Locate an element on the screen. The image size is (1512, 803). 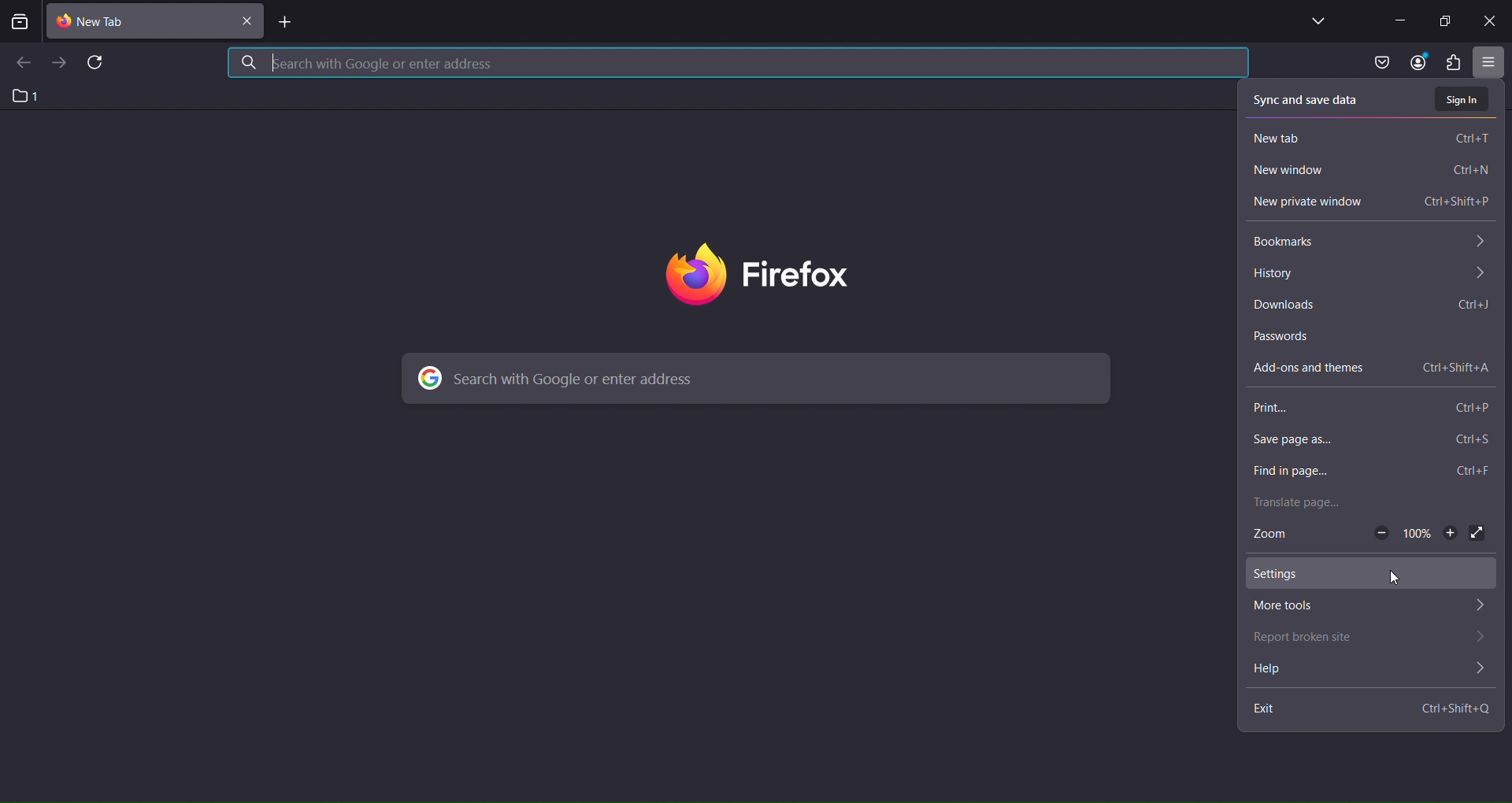
save to pocket is located at coordinates (1378, 62).